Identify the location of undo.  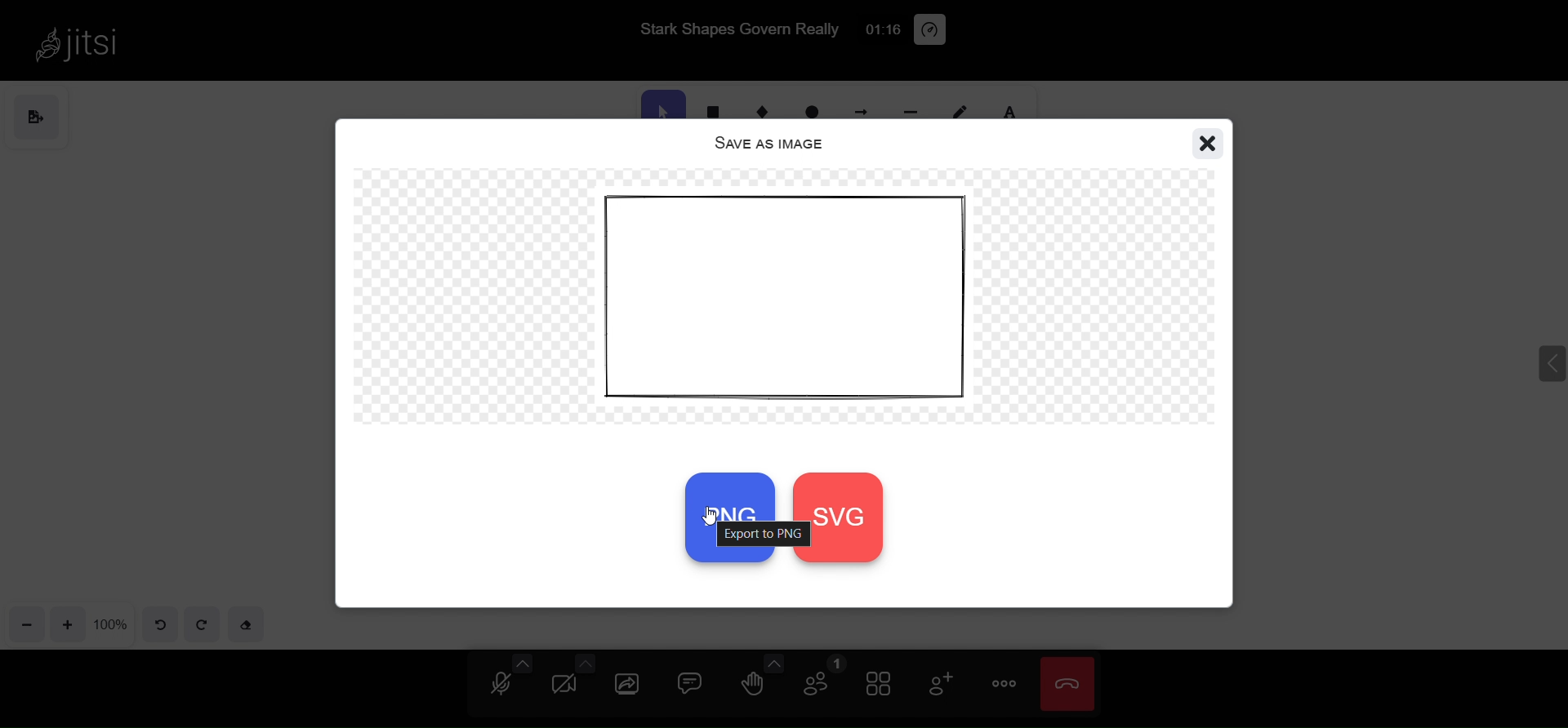
(158, 624).